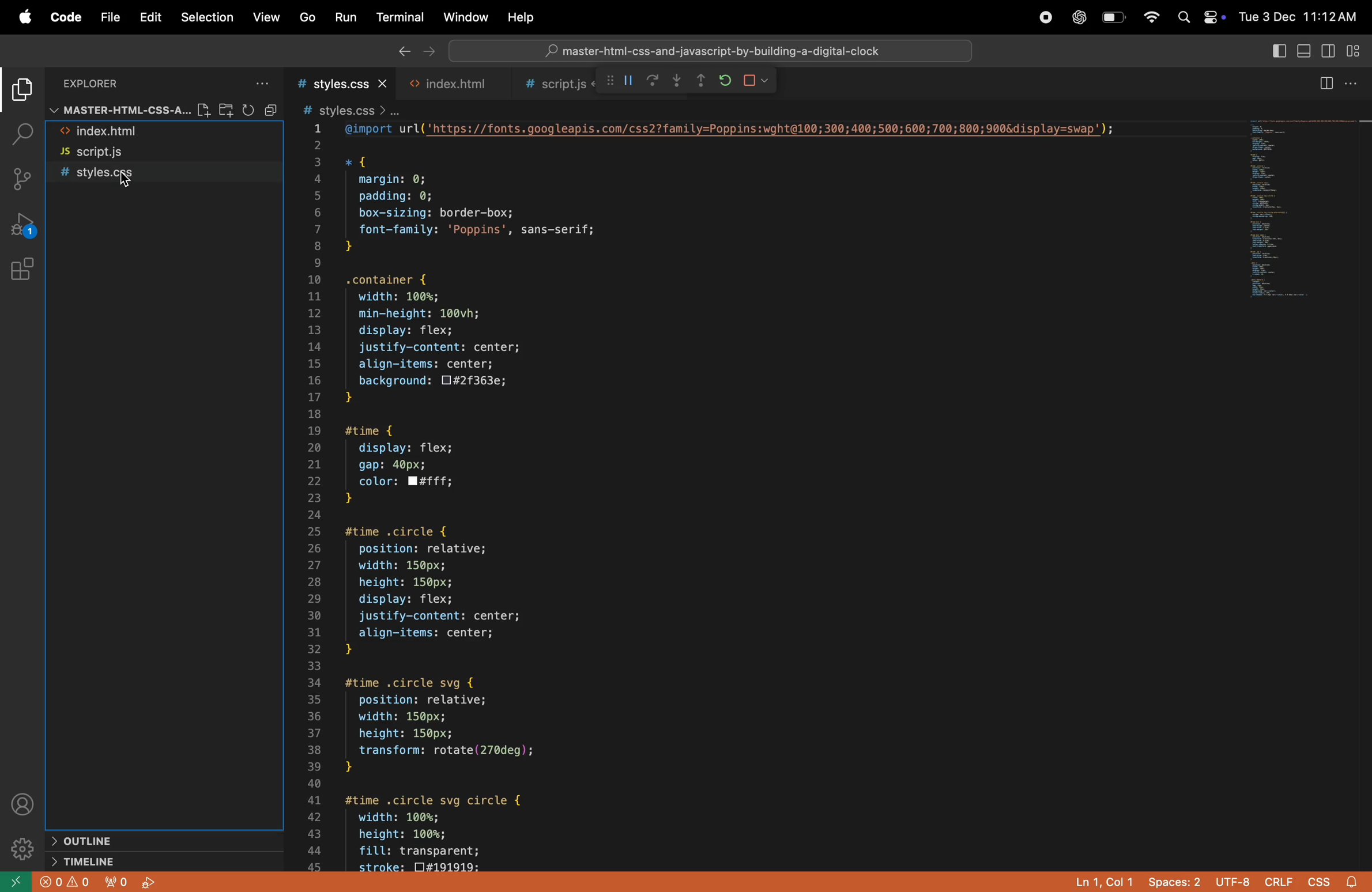  I want to click on script .js, so click(550, 84).